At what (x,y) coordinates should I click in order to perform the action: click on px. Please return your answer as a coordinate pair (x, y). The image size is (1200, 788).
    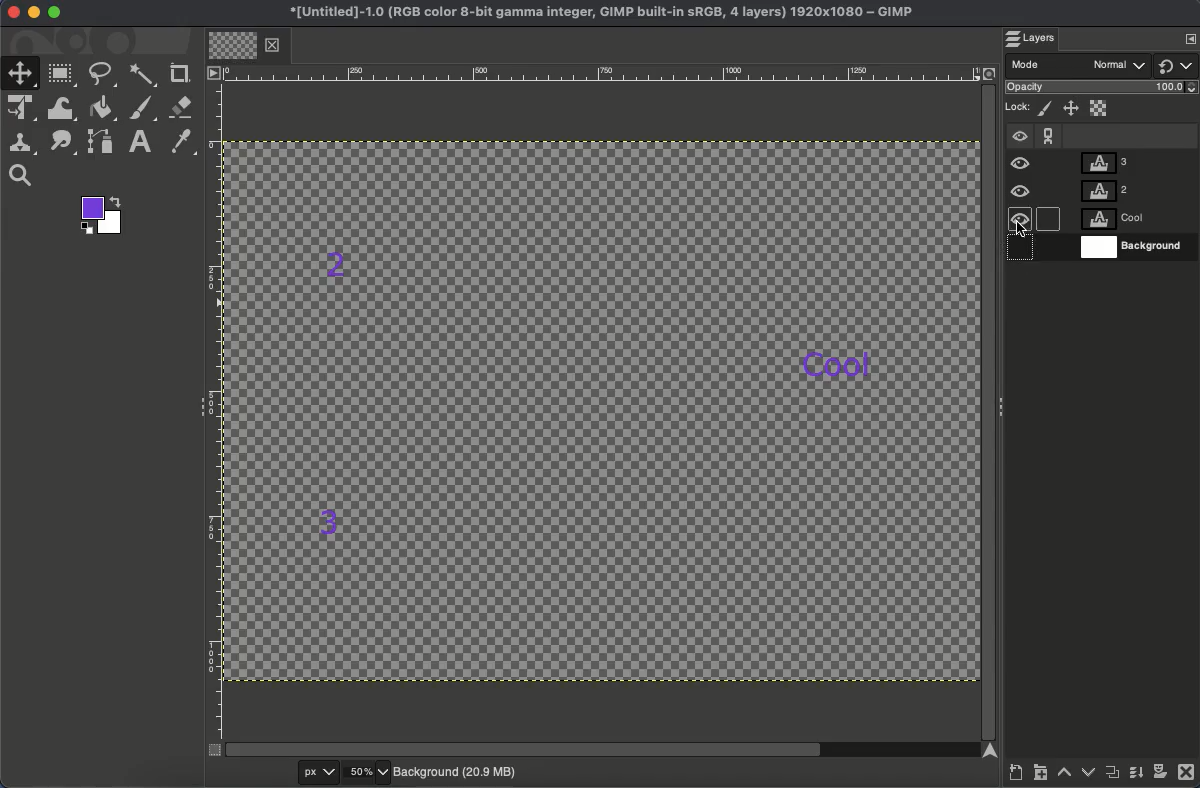
    Looking at the image, I should click on (303, 772).